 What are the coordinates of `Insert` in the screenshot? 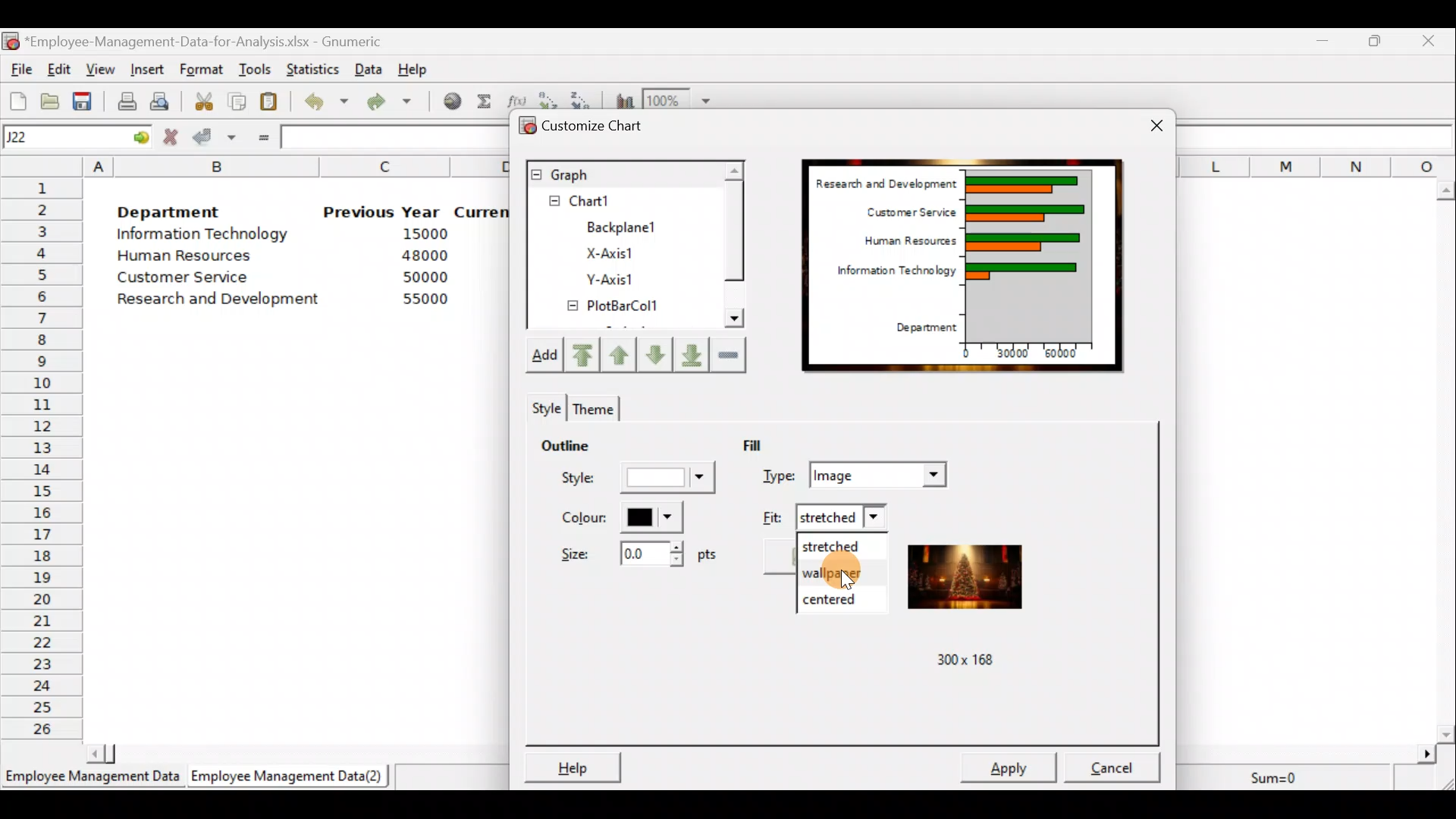 It's located at (150, 67).